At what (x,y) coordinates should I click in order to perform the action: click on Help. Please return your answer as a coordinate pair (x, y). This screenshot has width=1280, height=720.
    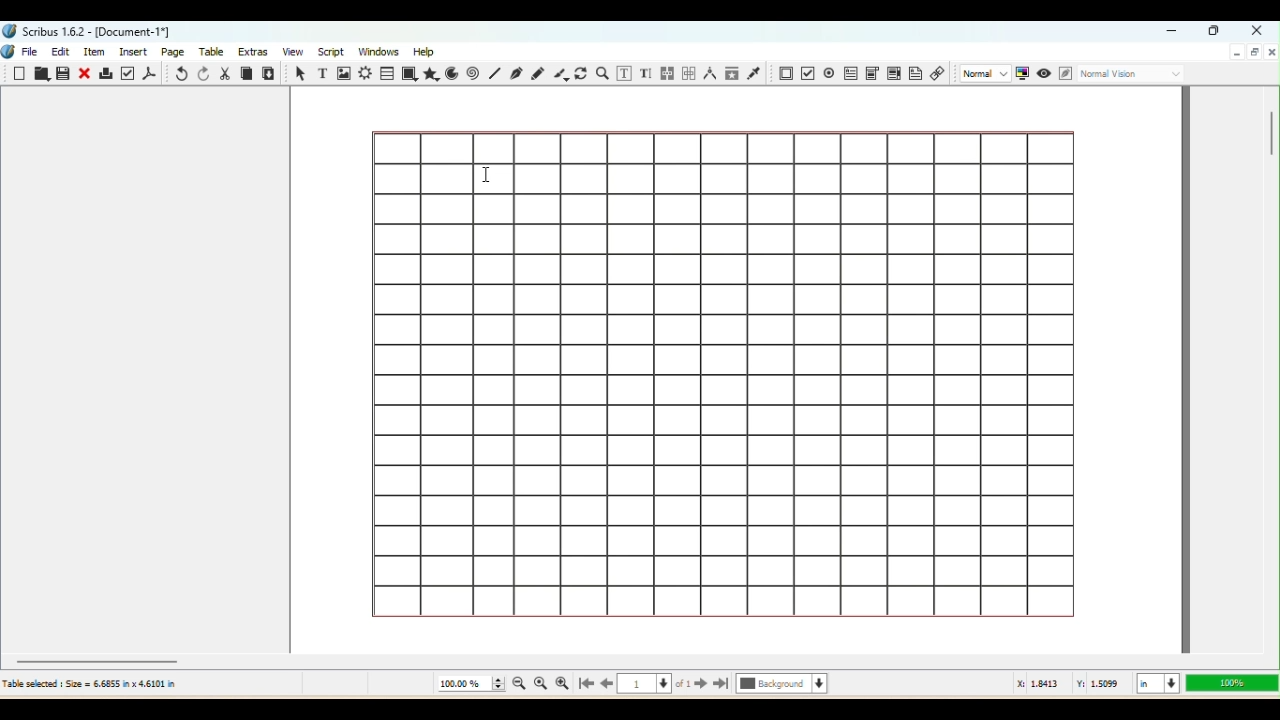
    Looking at the image, I should click on (426, 50).